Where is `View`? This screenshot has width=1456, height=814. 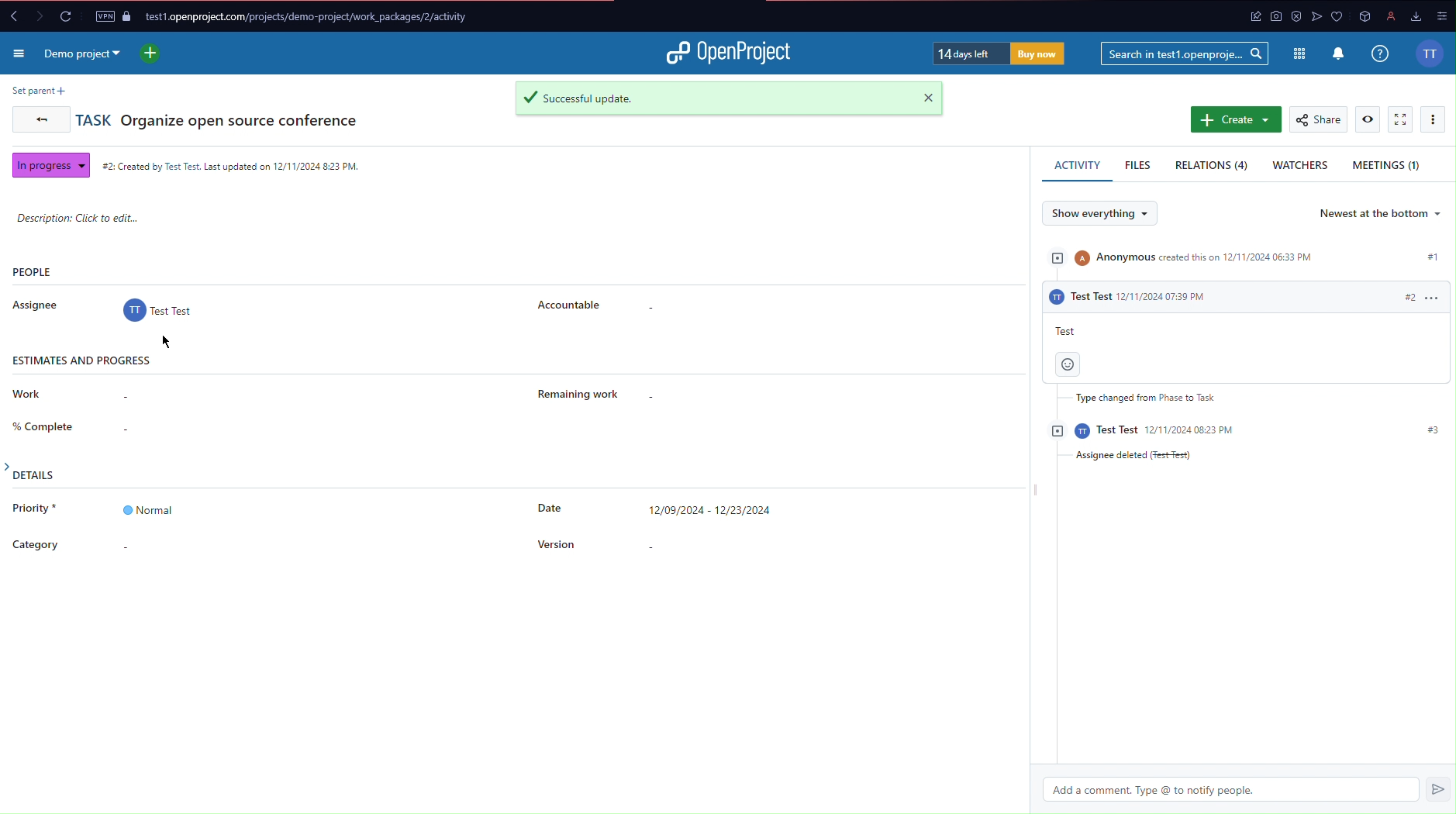 View is located at coordinates (1366, 119).